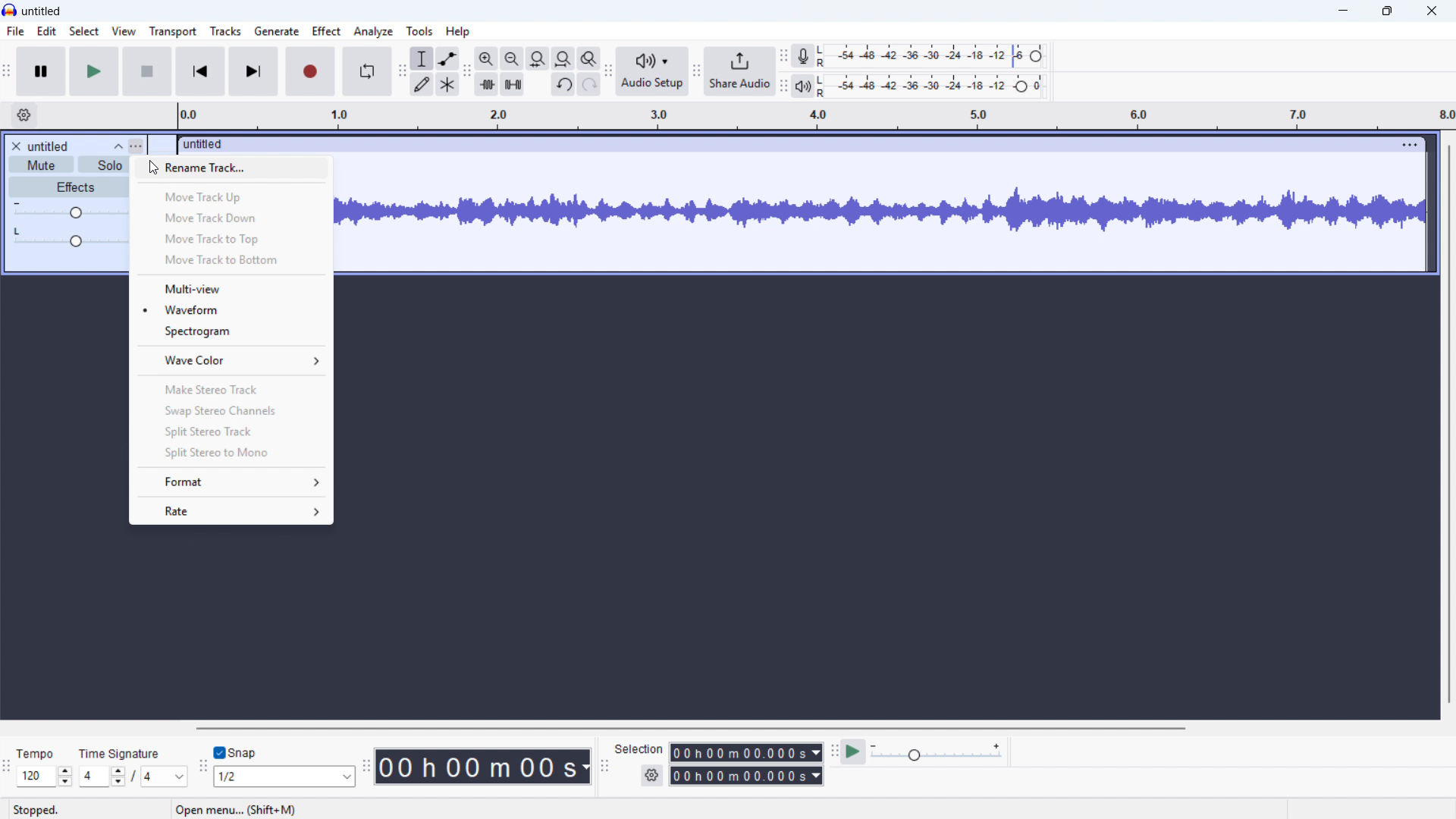 This screenshot has width=1456, height=819. What do you see at coordinates (36, 810) in the screenshot?
I see `Status: stopped` at bounding box center [36, 810].